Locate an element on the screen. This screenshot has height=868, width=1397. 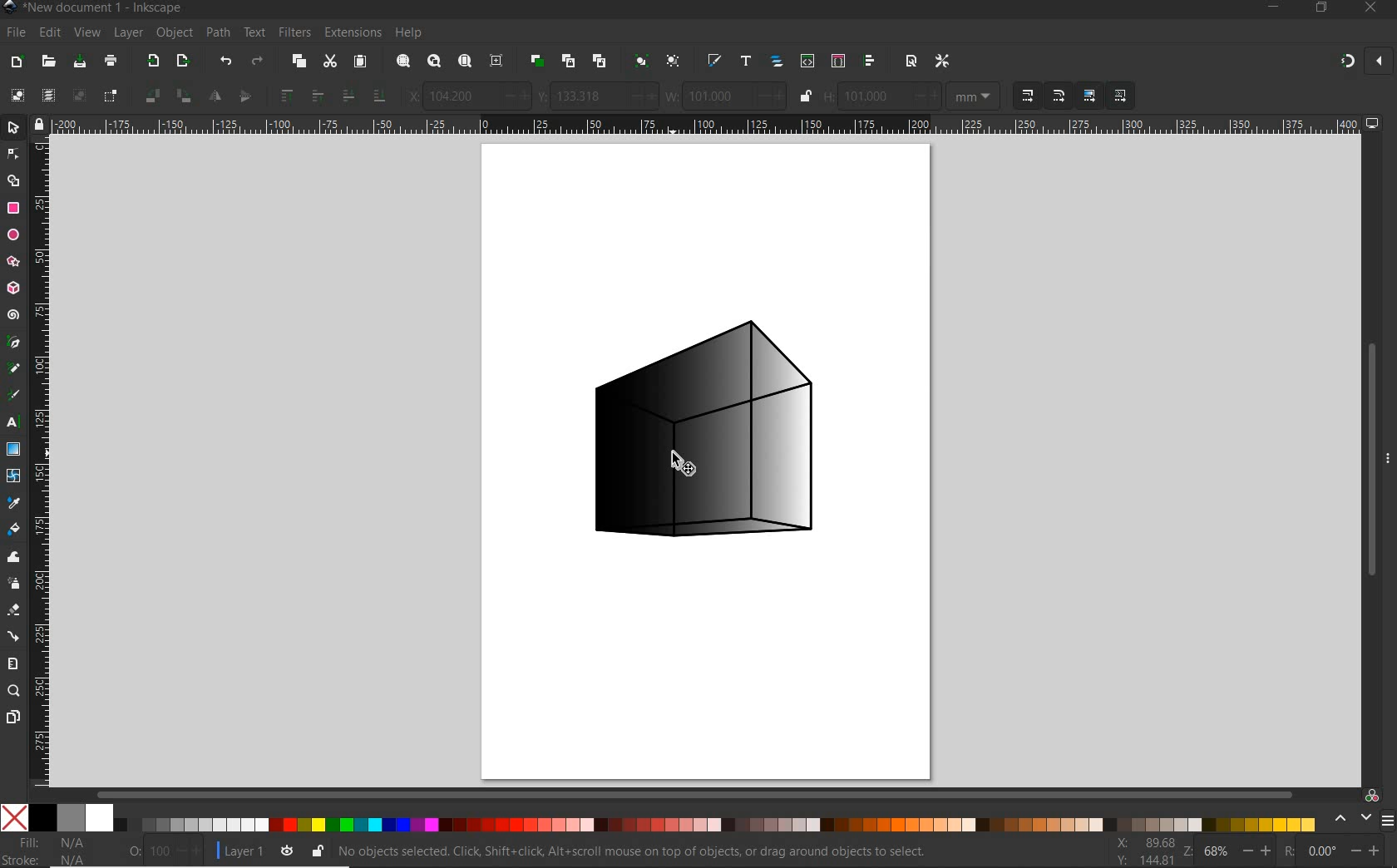
OPEN SELECTORS is located at coordinates (837, 60).